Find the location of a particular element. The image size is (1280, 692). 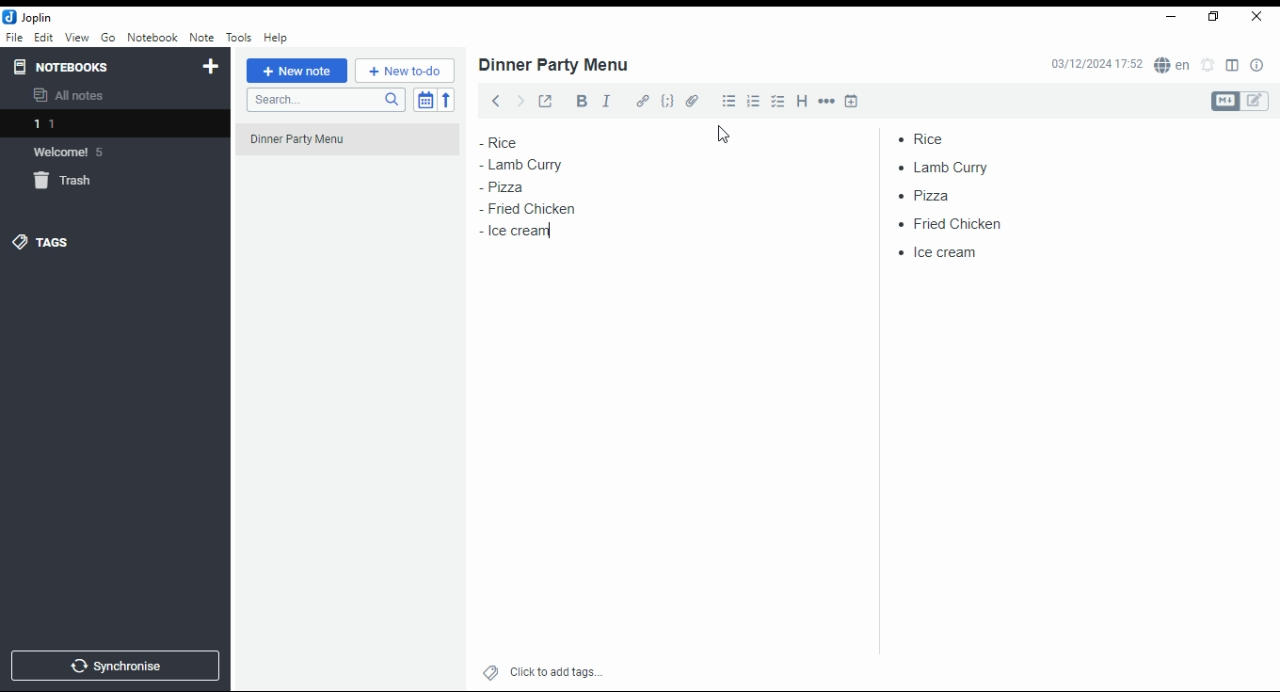

pizza is located at coordinates (507, 187).